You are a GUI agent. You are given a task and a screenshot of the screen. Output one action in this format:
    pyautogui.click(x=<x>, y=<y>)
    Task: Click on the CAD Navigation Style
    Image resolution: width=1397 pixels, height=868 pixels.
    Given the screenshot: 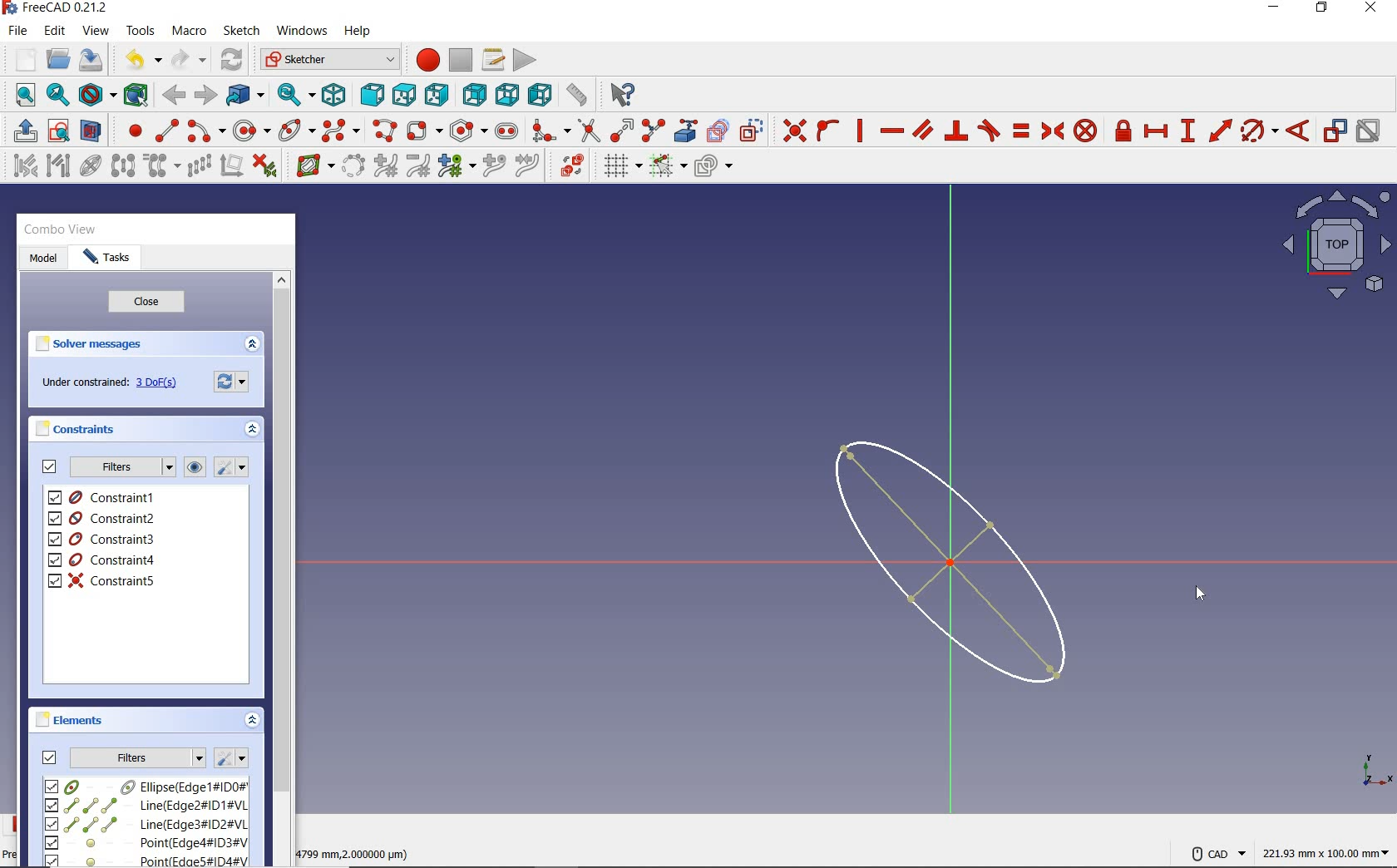 What is the action you would take?
    pyautogui.click(x=1214, y=851)
    